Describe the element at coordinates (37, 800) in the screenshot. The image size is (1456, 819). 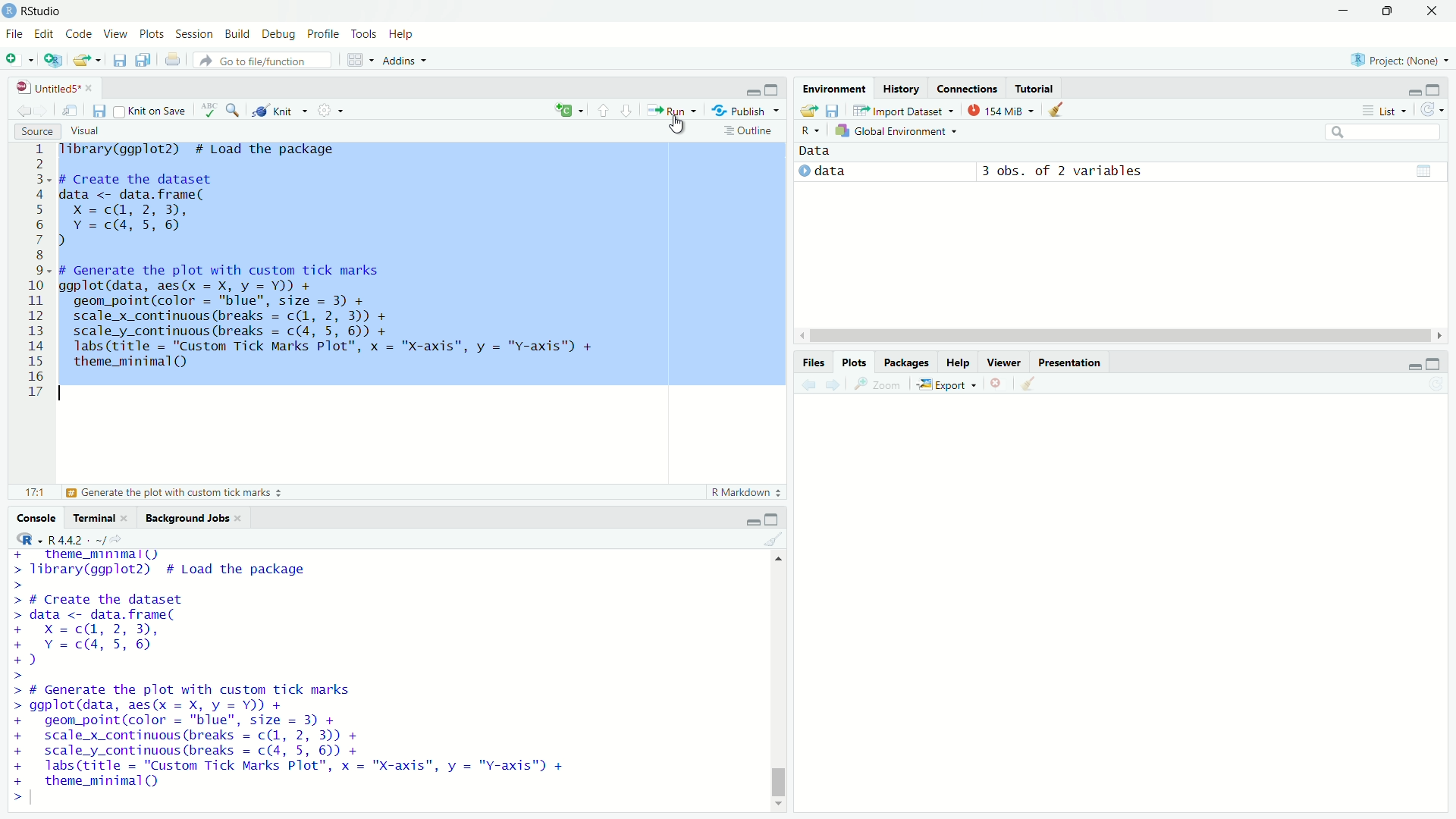
I see `typing cursor` at that location.